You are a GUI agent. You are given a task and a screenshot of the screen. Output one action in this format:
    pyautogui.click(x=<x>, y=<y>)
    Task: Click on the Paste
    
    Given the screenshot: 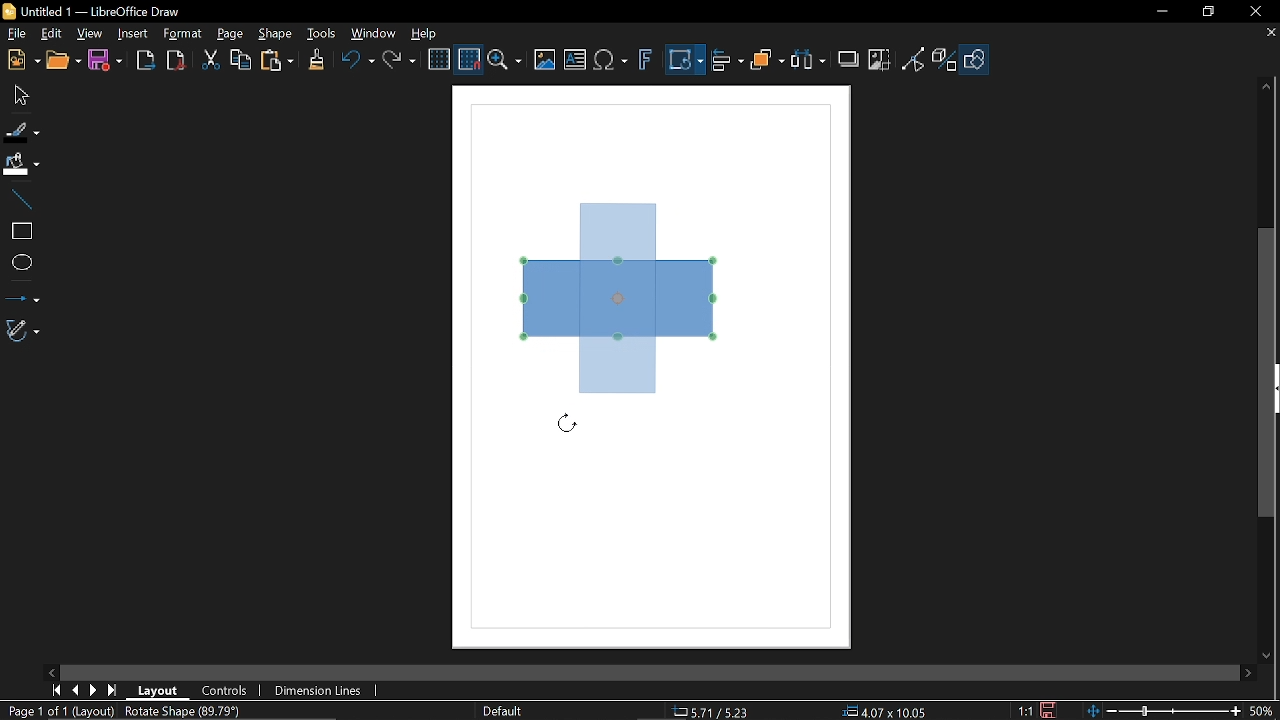 What is the action you would take?
    pyautogui.click(x=275, y=62)
    